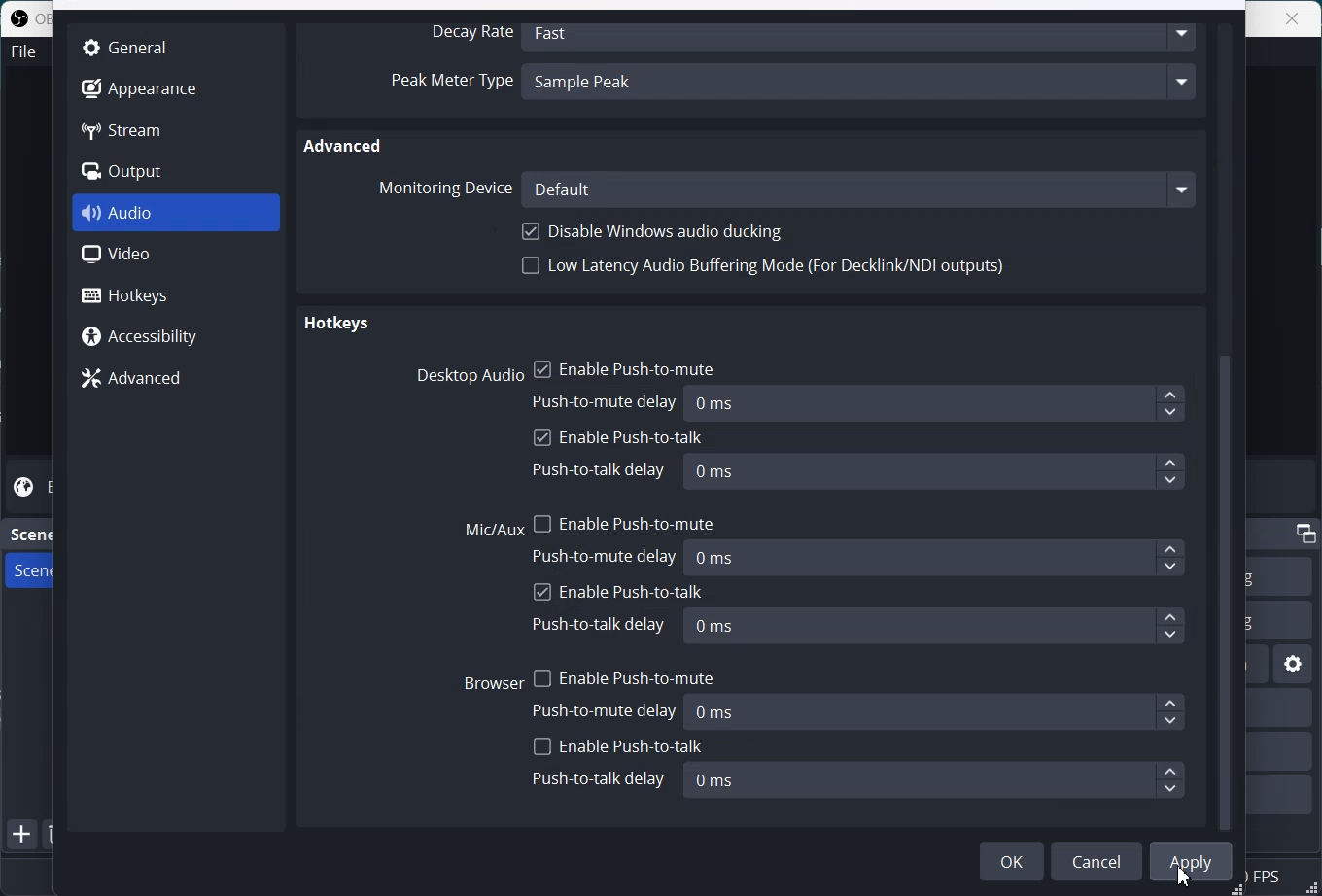 The width and height of the screenshot is (1322, 896). Describe the element at coordinates (607, 399) in the screenshot. I see `Push-to-mute delay` at that location.